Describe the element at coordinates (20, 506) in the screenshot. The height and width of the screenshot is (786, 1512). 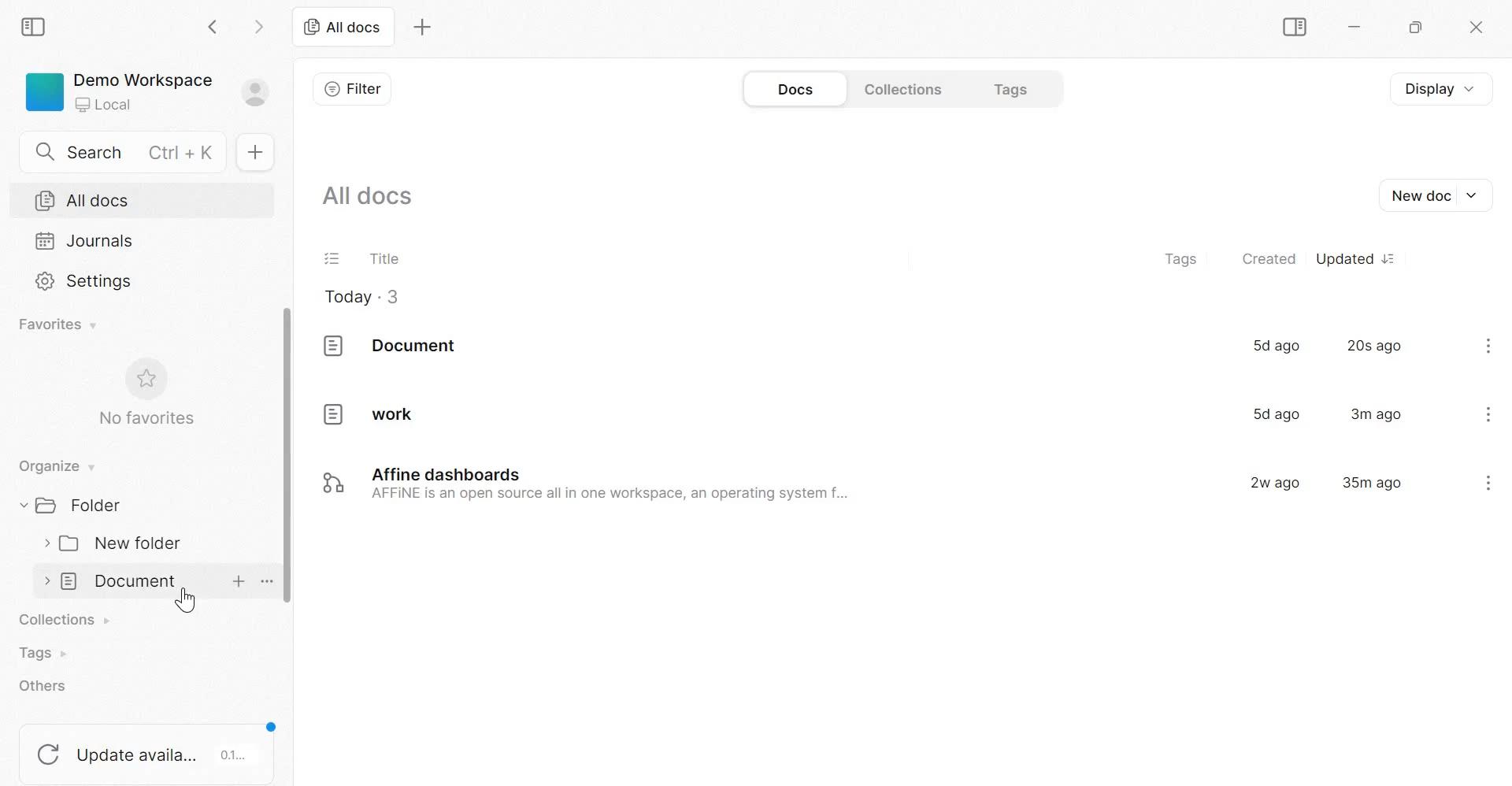
I see `collapse/expand` at that location.